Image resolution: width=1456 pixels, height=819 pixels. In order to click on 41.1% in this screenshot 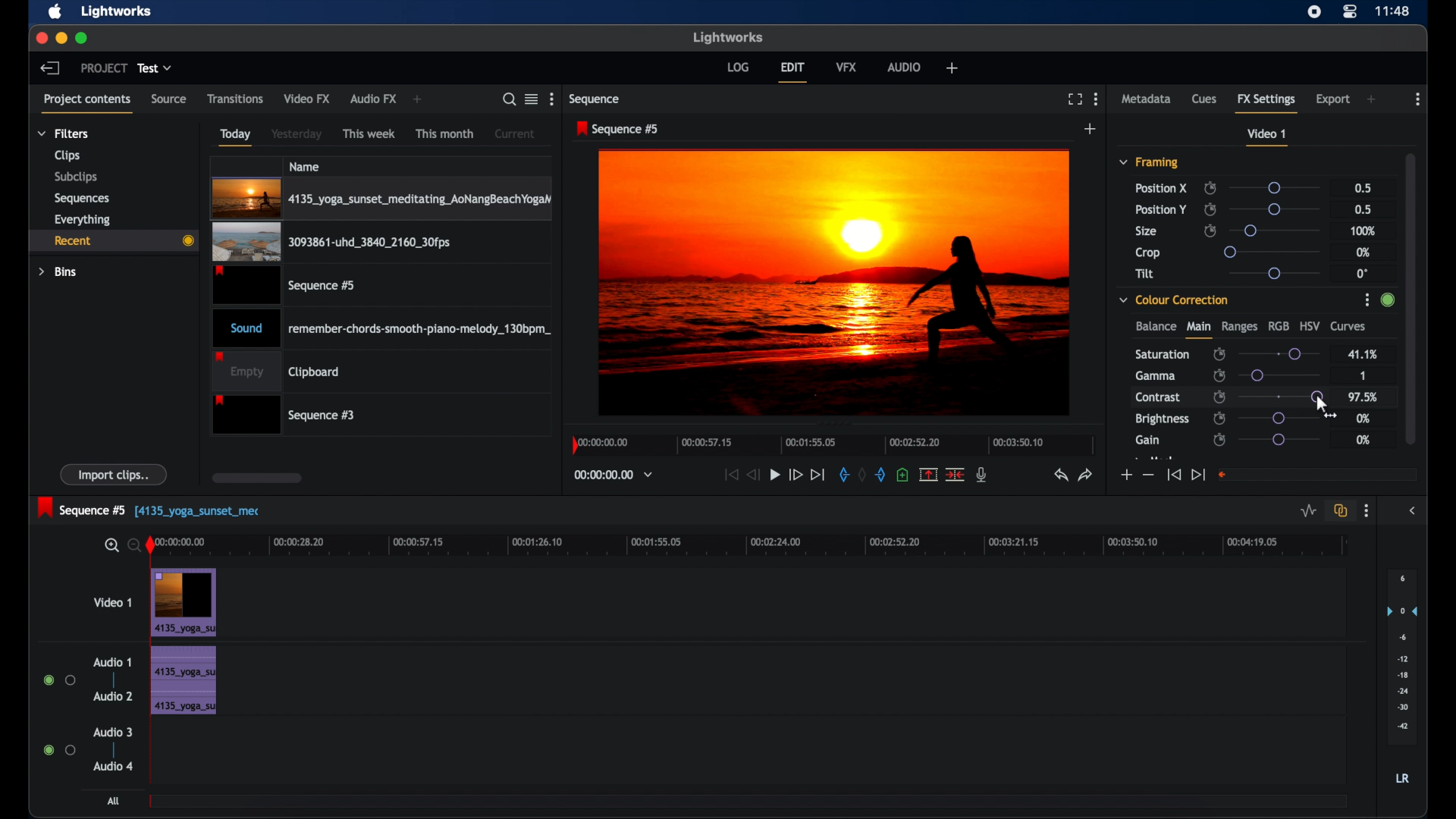, I will do `click(1362, 353)`.